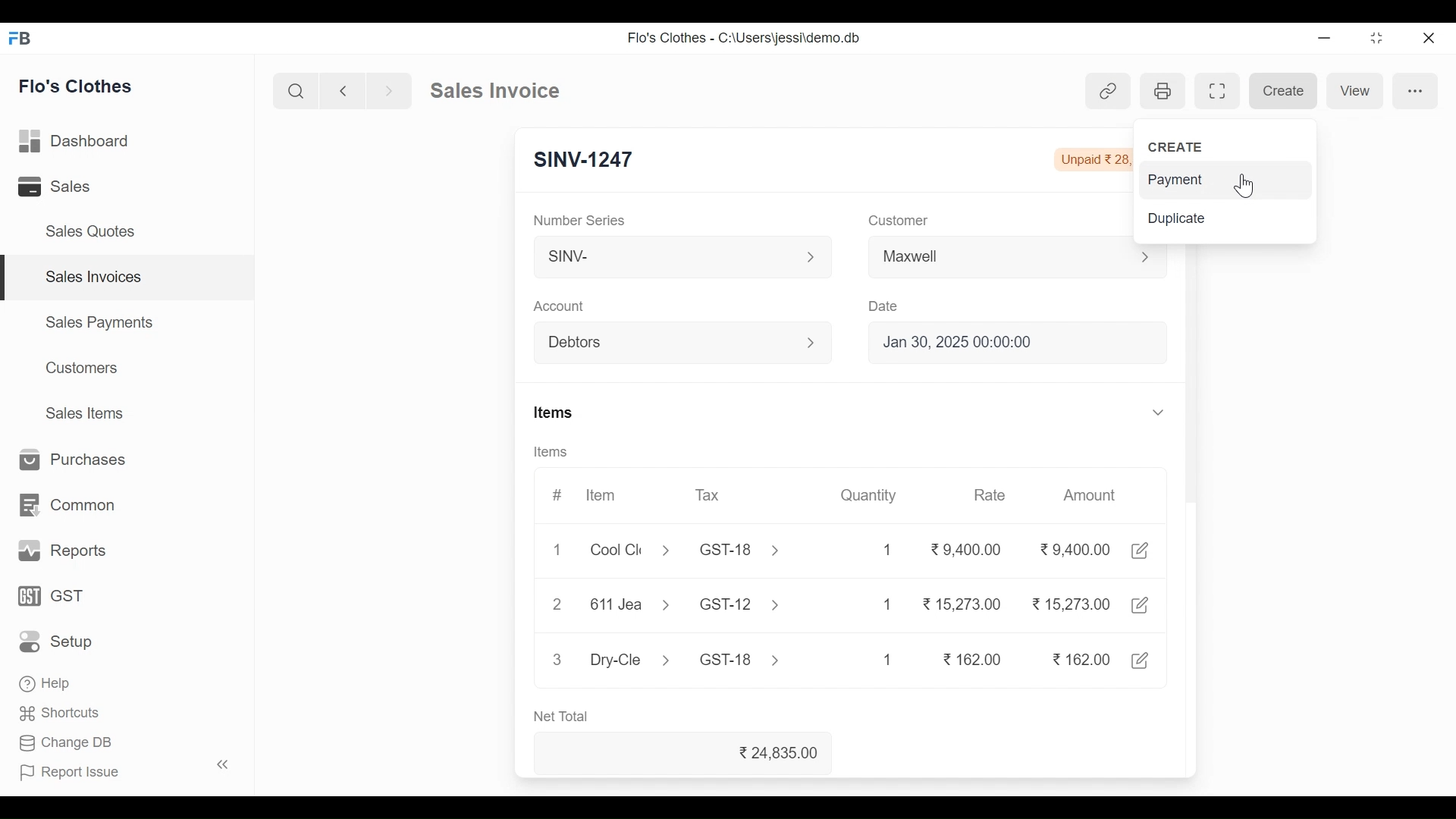  Describe the element at coordinates (1324, 39) in the screenshot. I see `Minimize` at that location.